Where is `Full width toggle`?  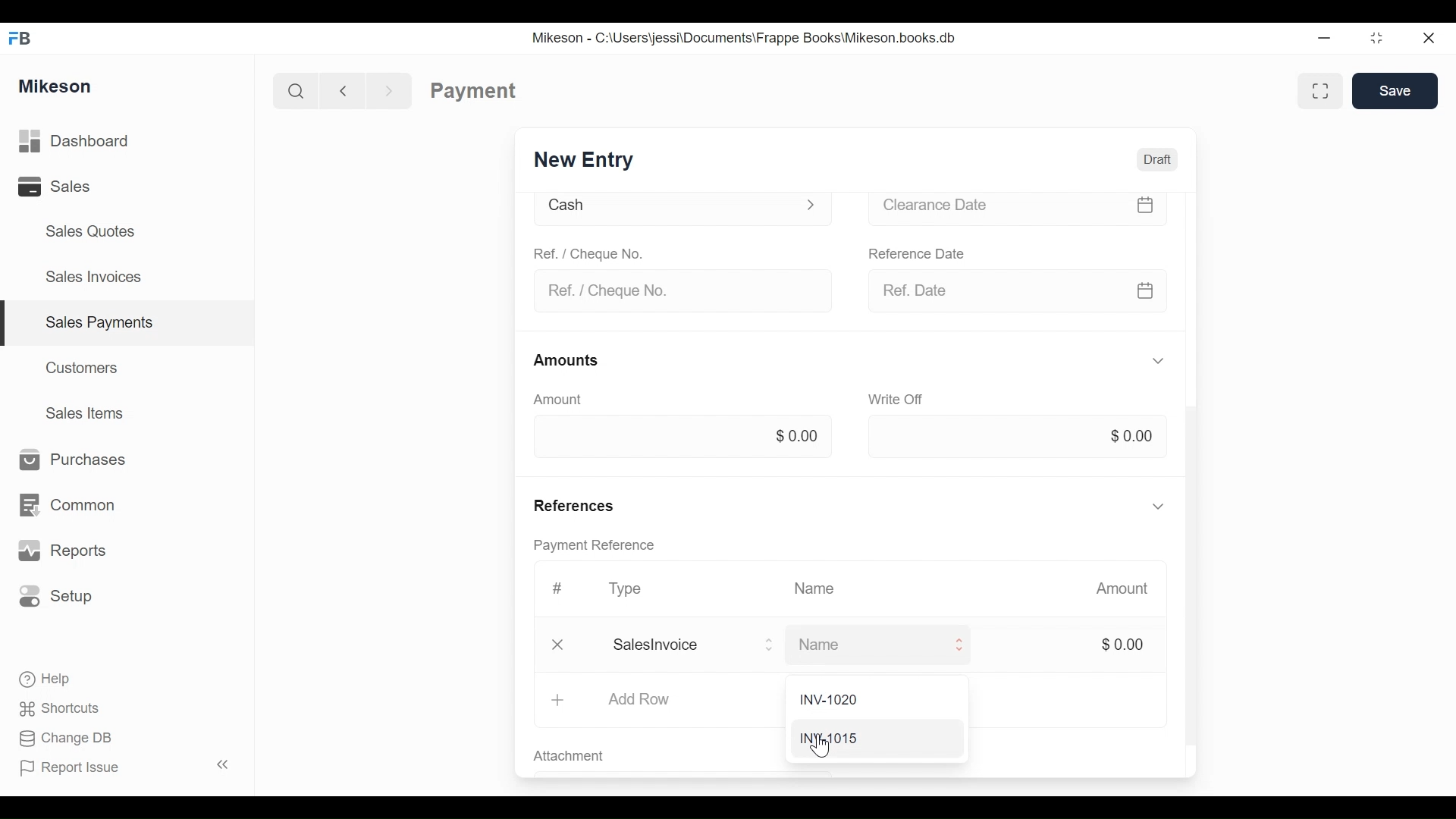
Full width toggle is located at coordinates (1318, 92).